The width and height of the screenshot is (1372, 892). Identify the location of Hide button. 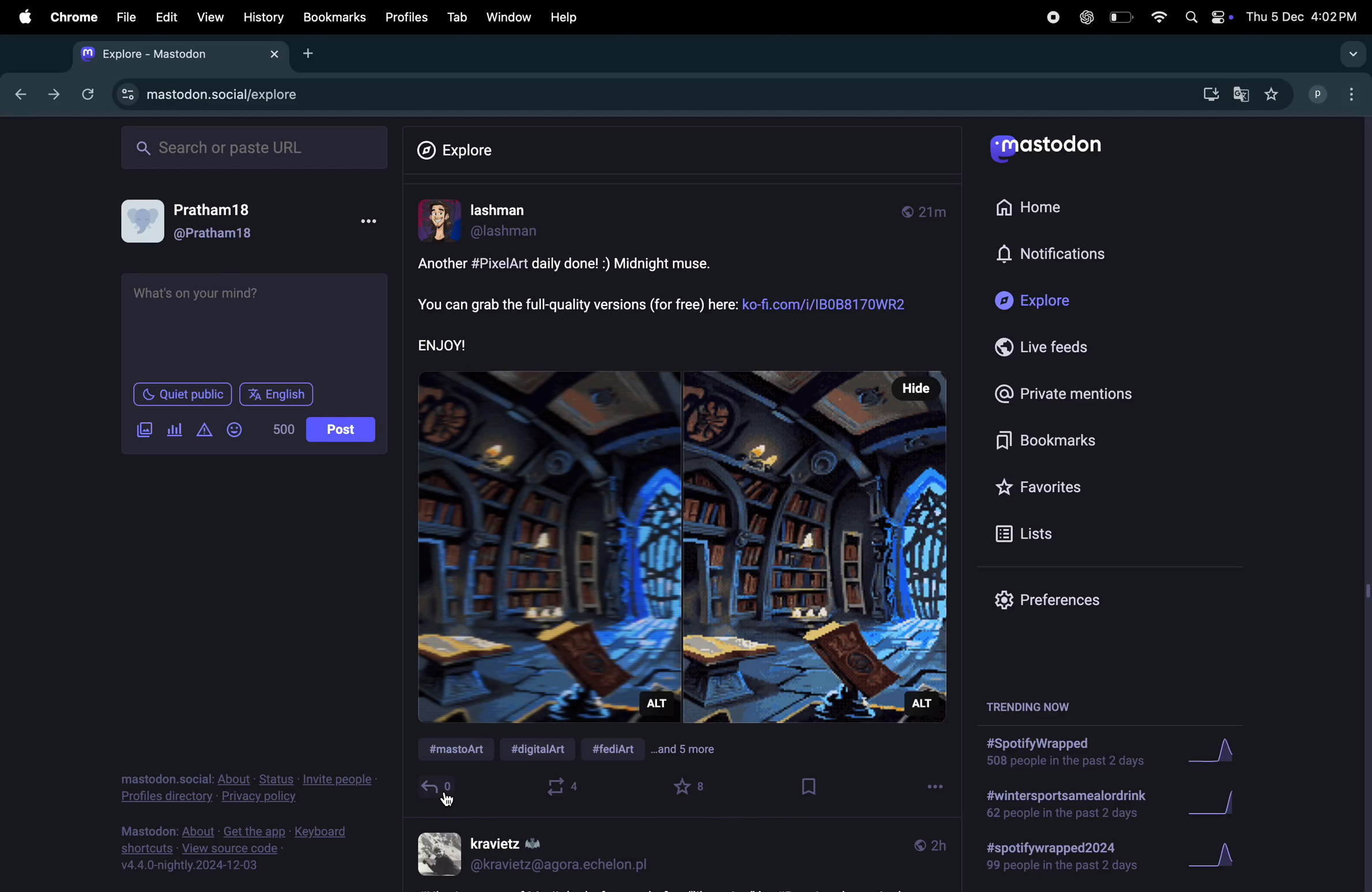
(912, 388).